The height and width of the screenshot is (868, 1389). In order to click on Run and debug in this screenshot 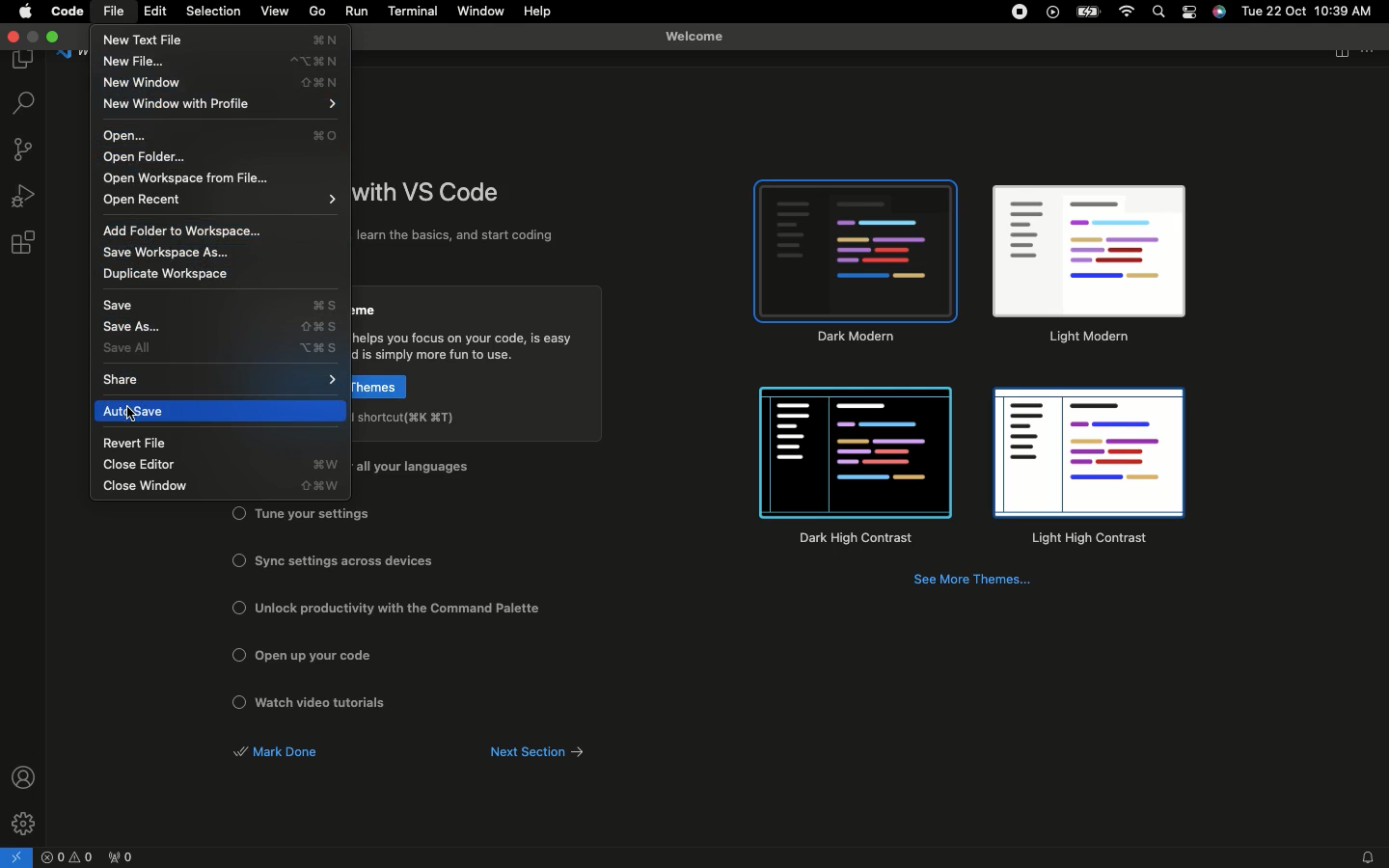, I will do `click(25, 195)`.